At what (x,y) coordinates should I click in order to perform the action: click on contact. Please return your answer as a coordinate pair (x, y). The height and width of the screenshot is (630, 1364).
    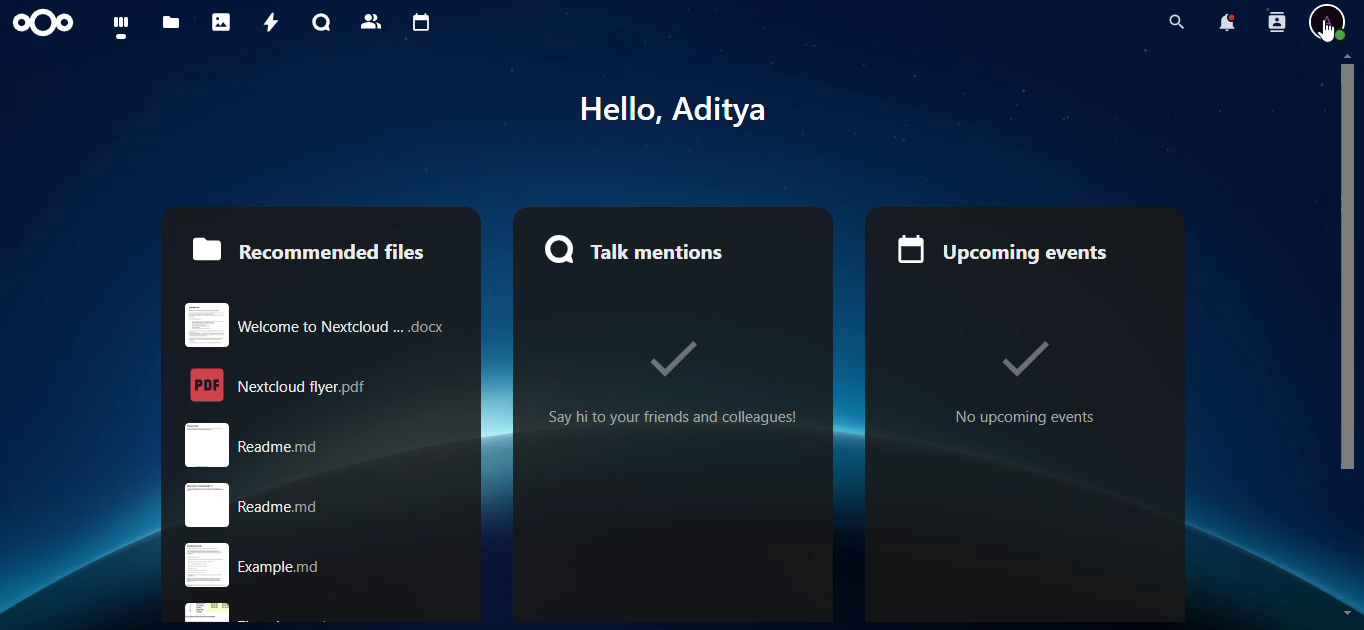
    Looking at the image, I should click on (1275, 24).